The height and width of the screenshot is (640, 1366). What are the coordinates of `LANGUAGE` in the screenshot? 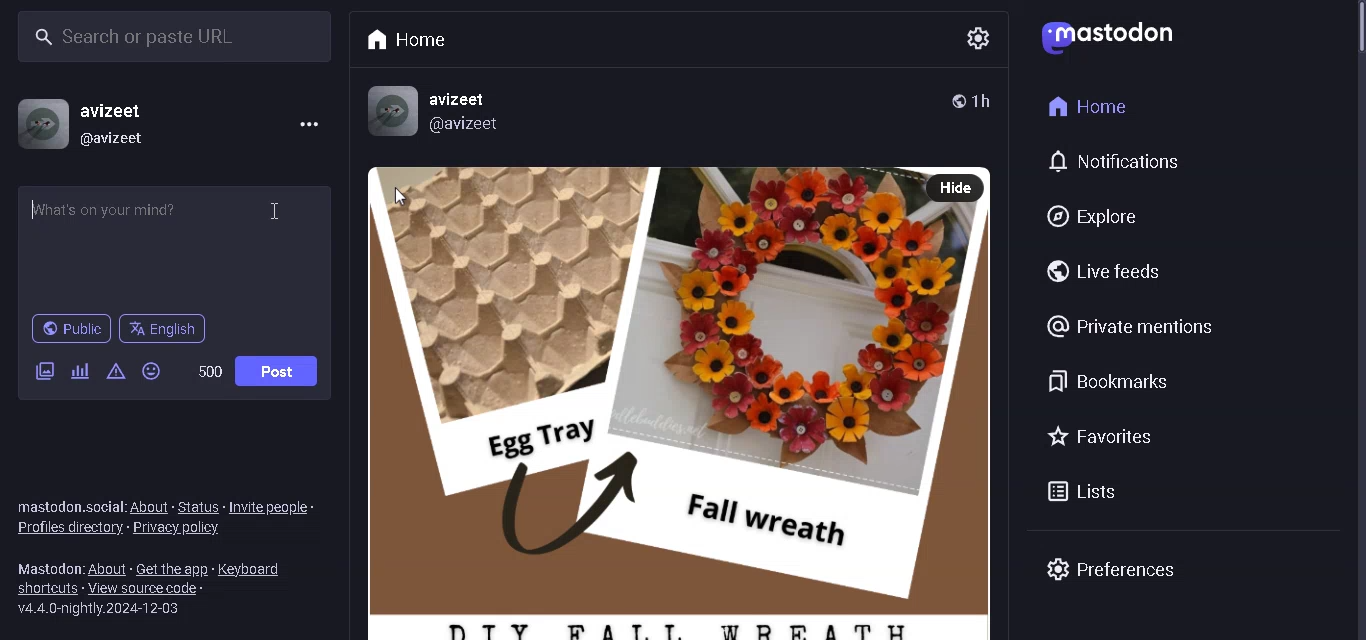 It's located at (166, 328).